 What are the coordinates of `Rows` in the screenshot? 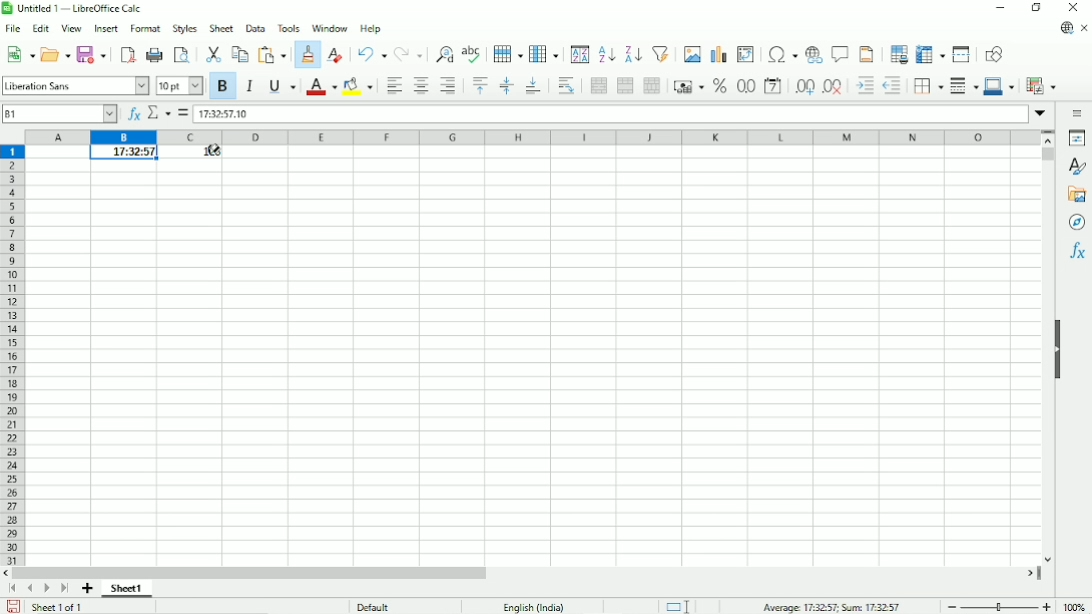 It's located at (508, 53).